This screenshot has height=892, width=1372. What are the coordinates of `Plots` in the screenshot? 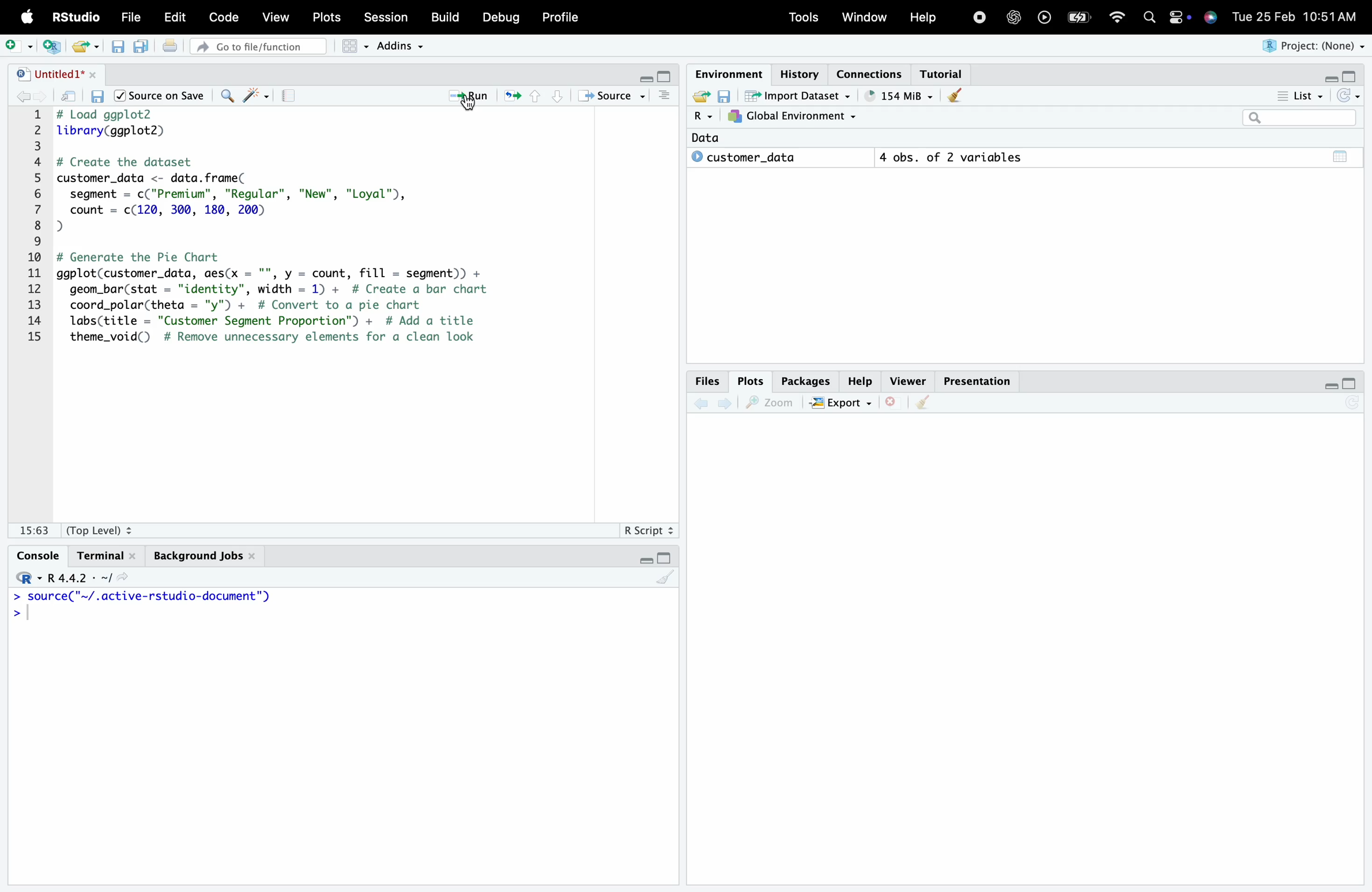 It's located at (330, 17).